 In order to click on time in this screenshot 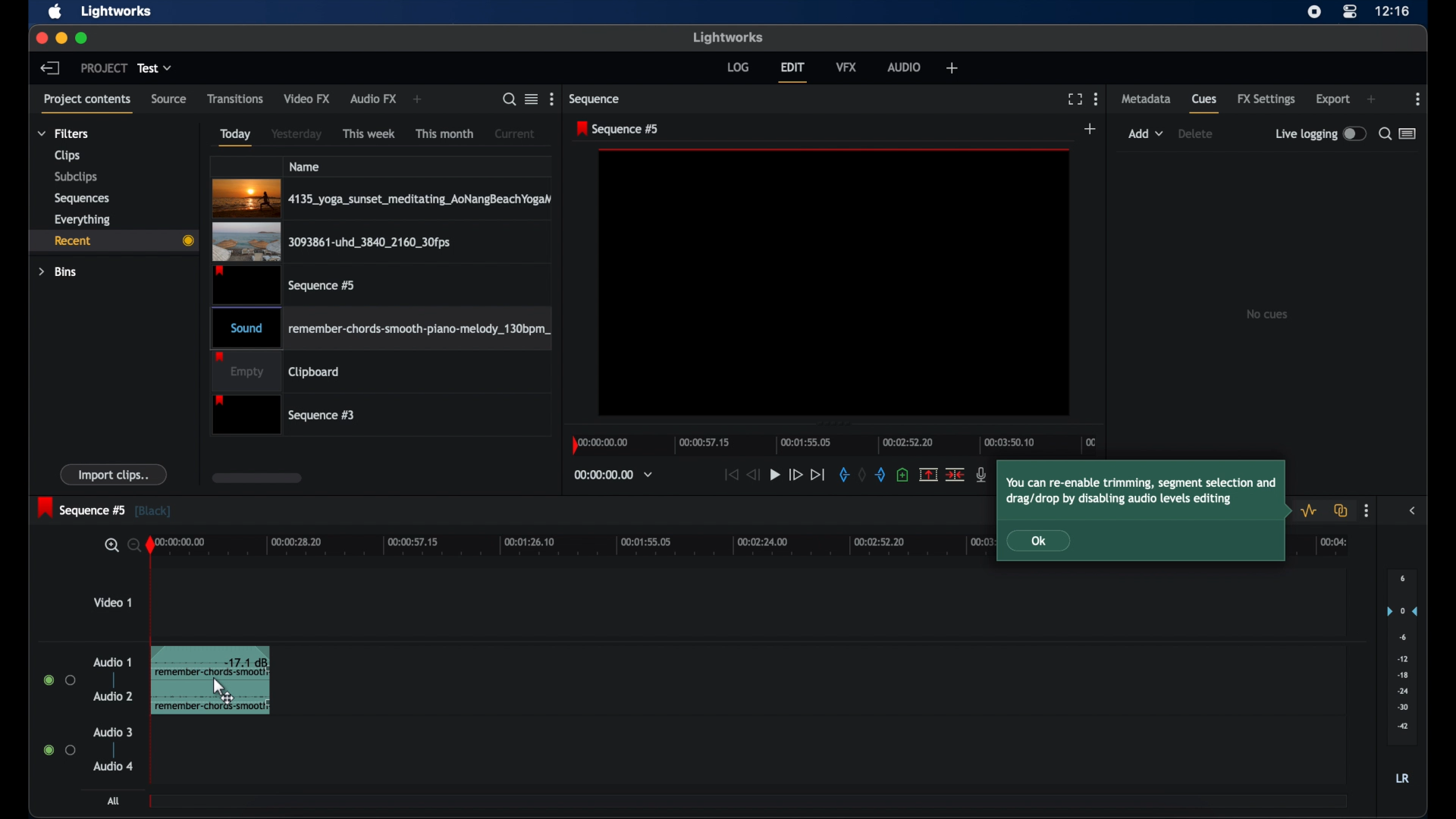, I will do `click(1392, 12)`.